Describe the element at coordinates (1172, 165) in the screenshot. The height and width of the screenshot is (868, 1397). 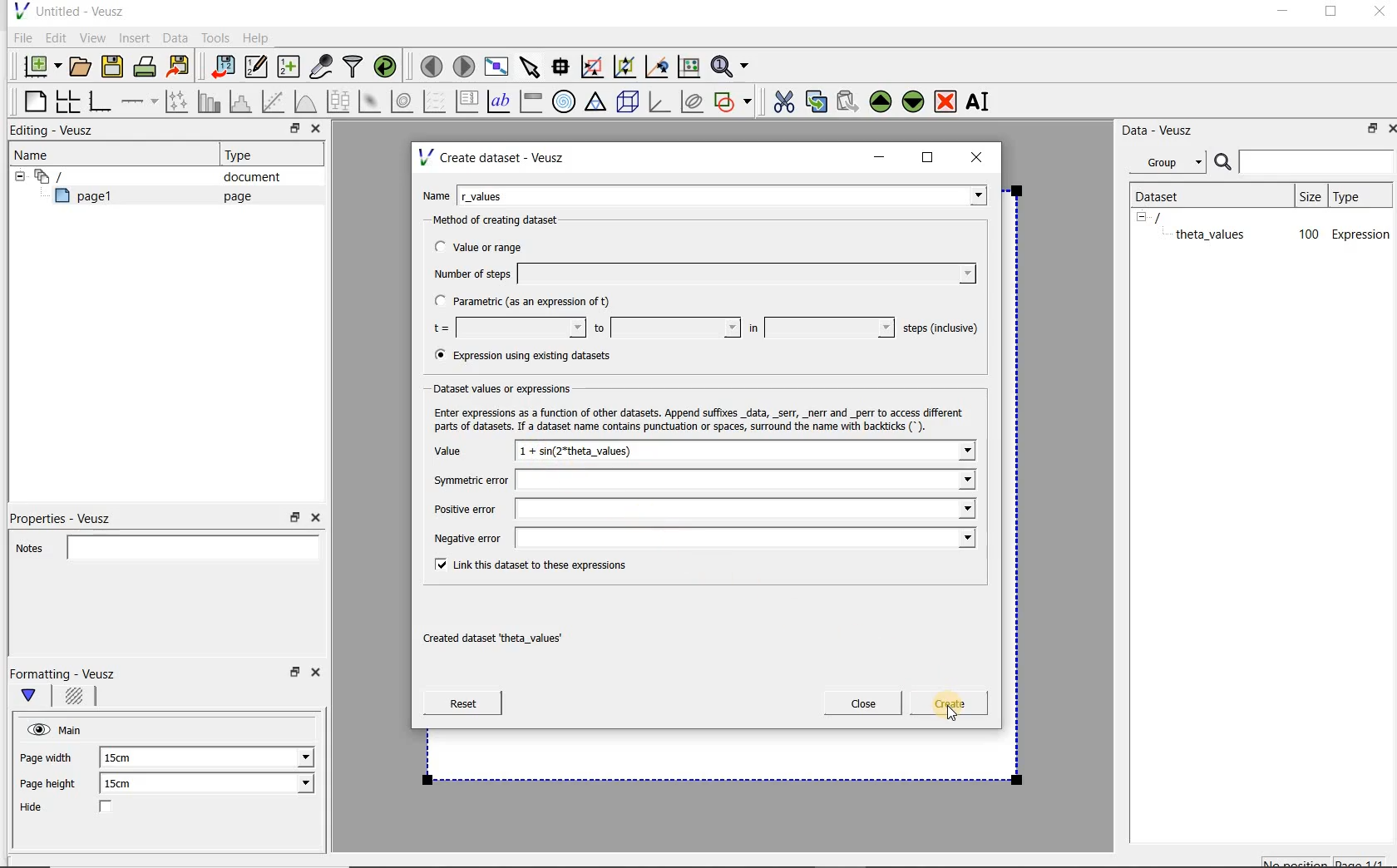
I see `Group` at that location.